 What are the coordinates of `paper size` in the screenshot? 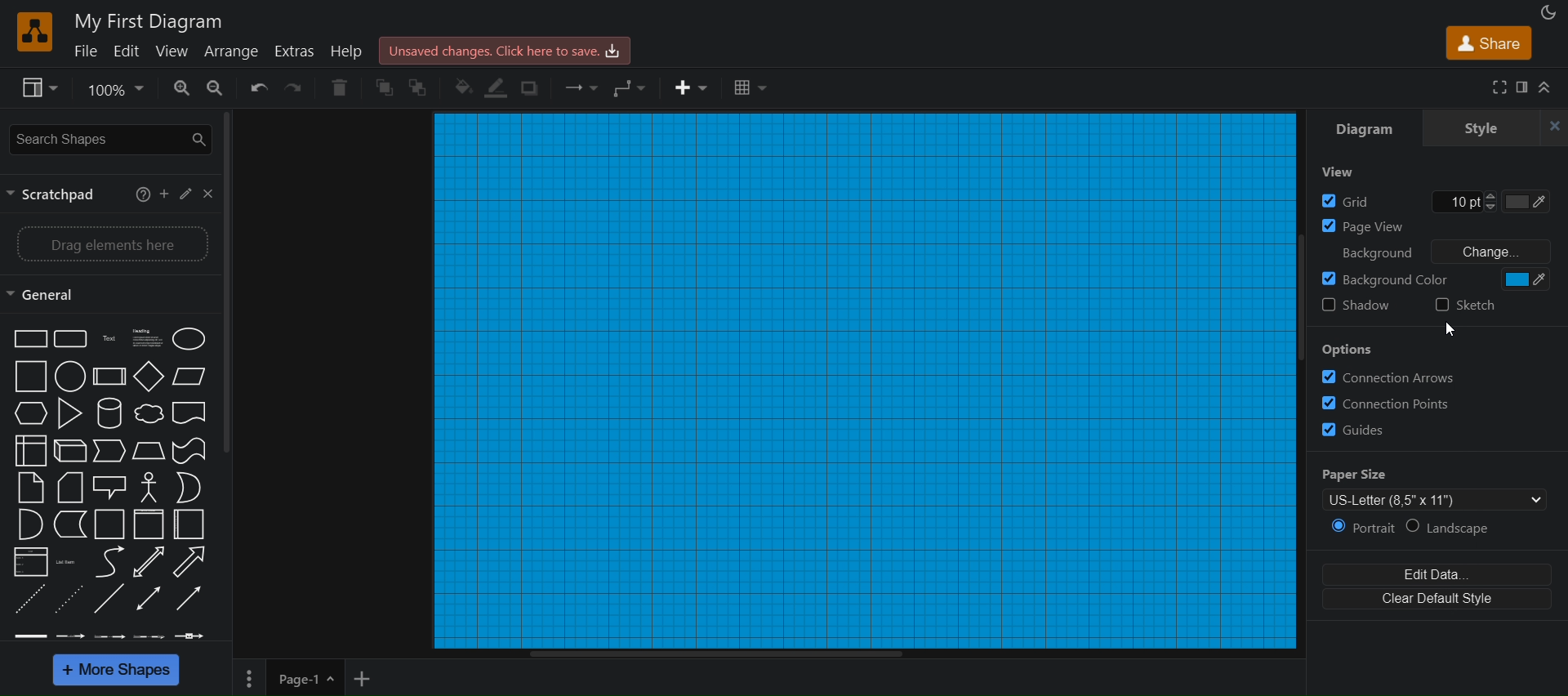 It's located at (1431, 489).